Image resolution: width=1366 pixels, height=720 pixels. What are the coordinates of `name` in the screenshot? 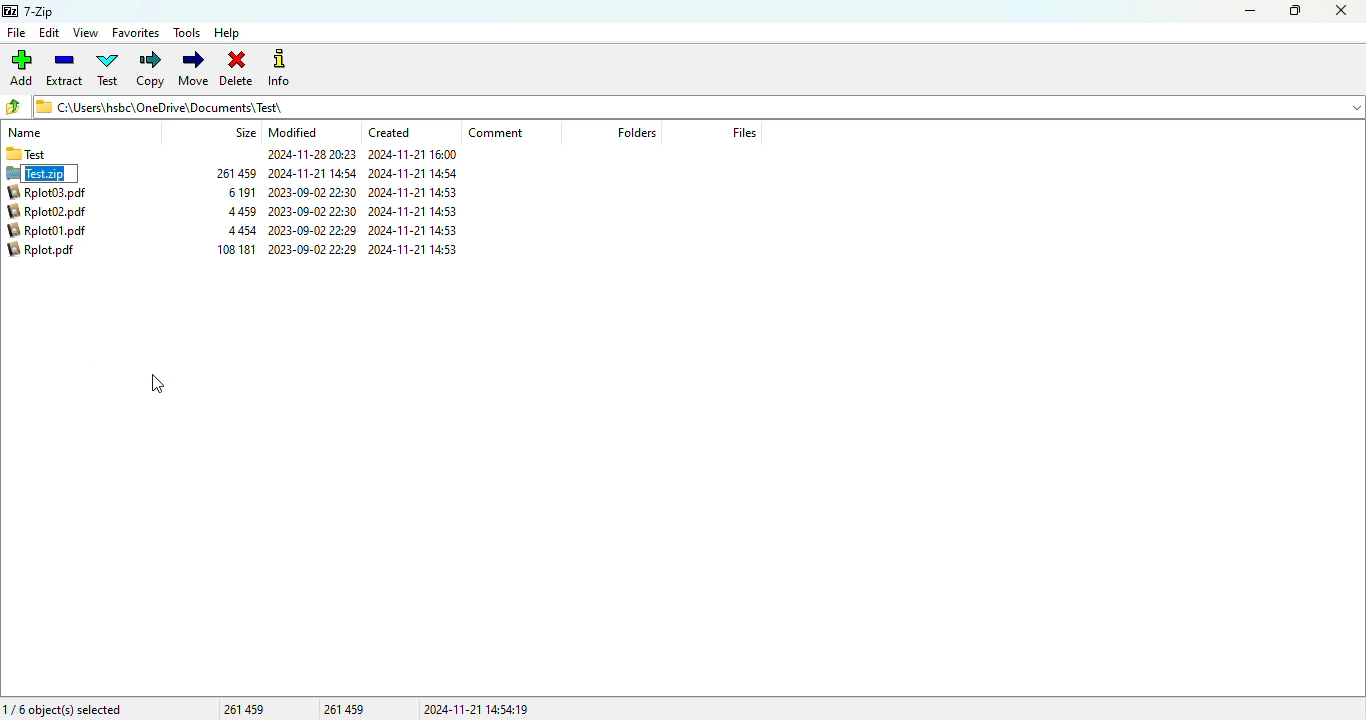 It's located at (25, 133).